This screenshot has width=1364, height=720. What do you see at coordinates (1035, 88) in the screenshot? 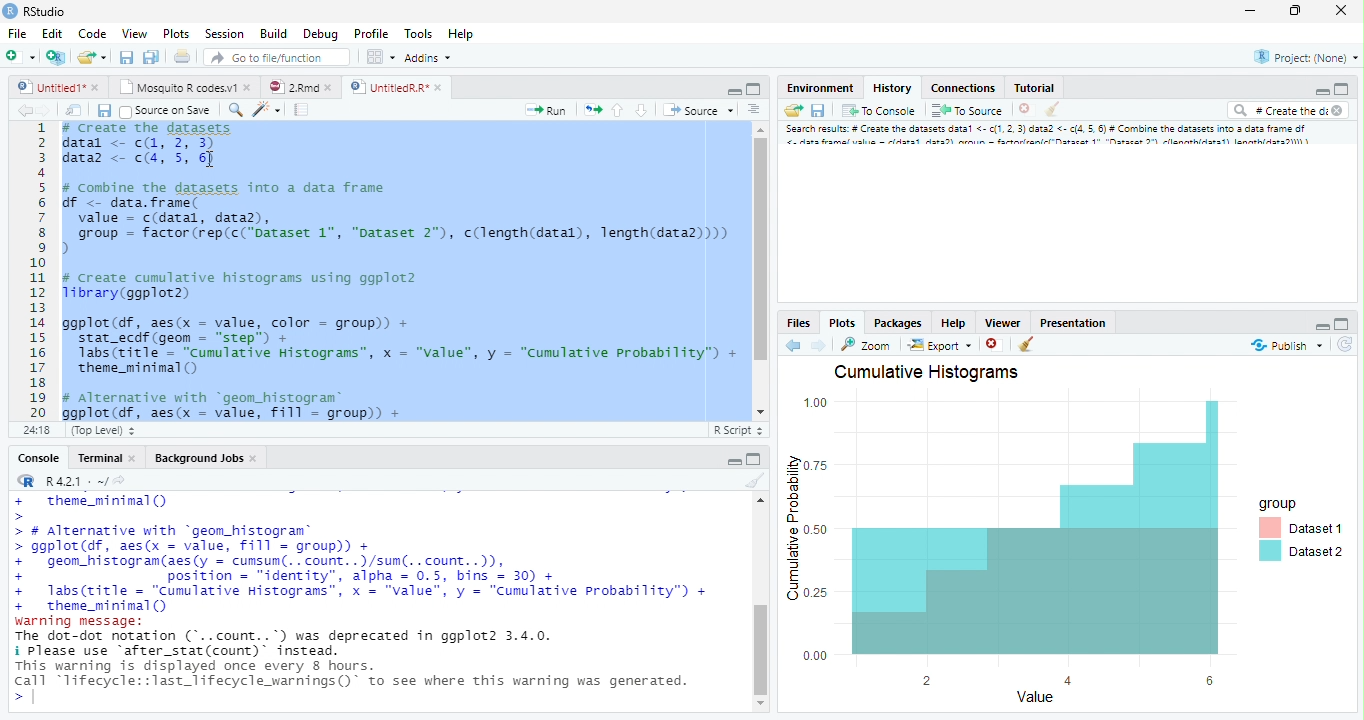
I see `Tutorial` at bounding box center [1035, 88].